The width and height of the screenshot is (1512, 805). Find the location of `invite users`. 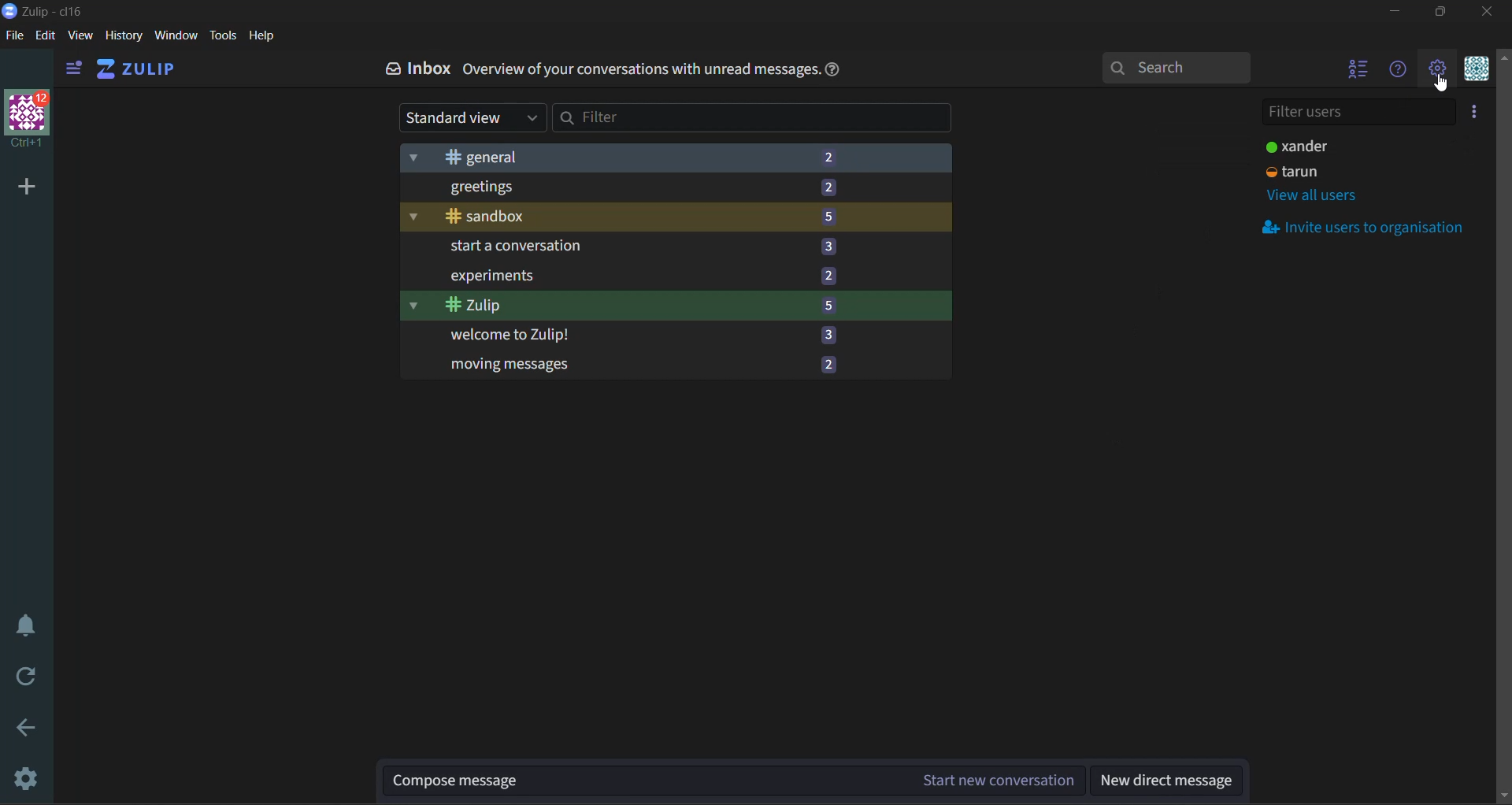

invite users is located at coordinates (1477, 113).